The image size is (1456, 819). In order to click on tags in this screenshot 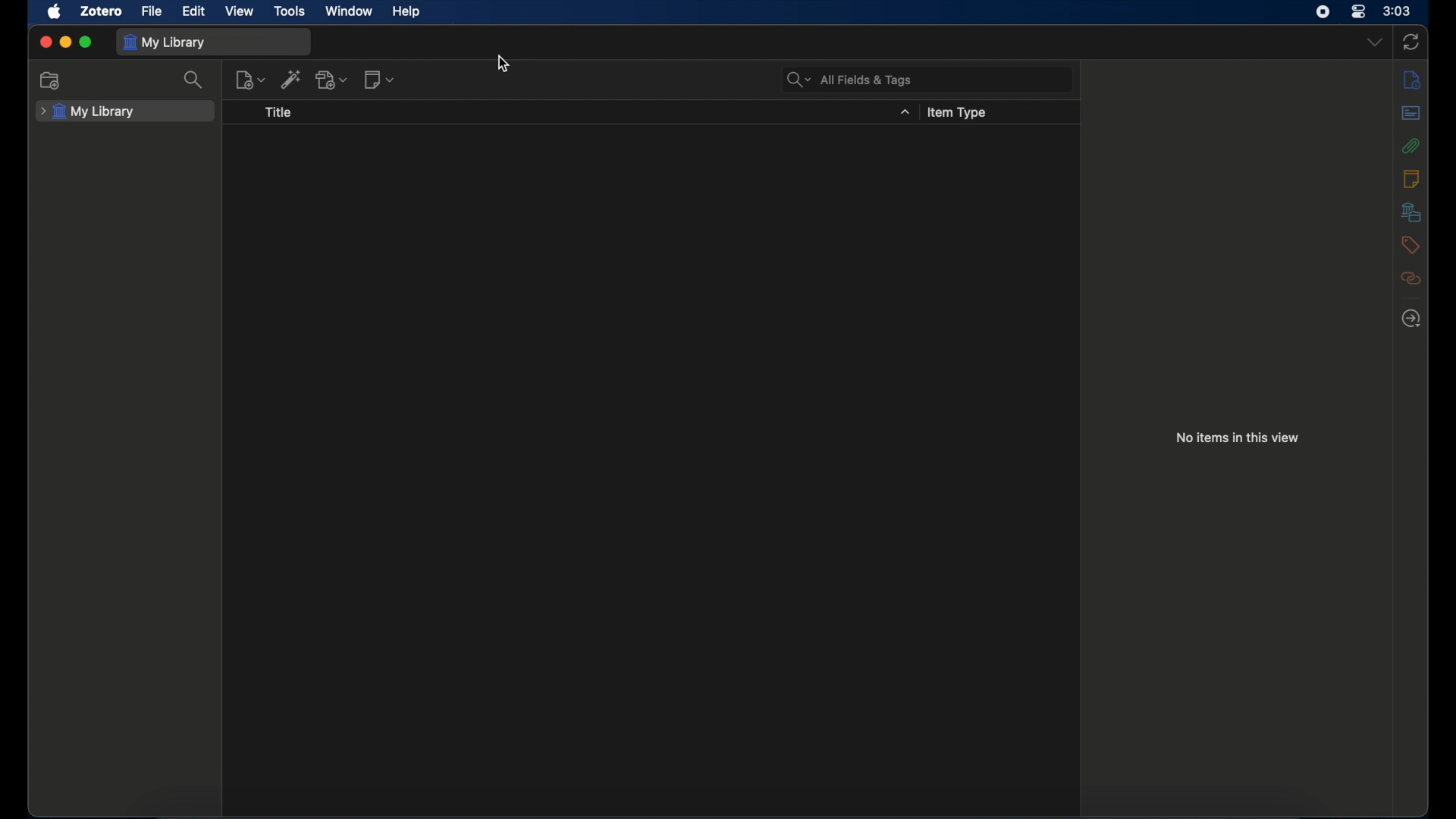, I will do `click(1409, 244)`.